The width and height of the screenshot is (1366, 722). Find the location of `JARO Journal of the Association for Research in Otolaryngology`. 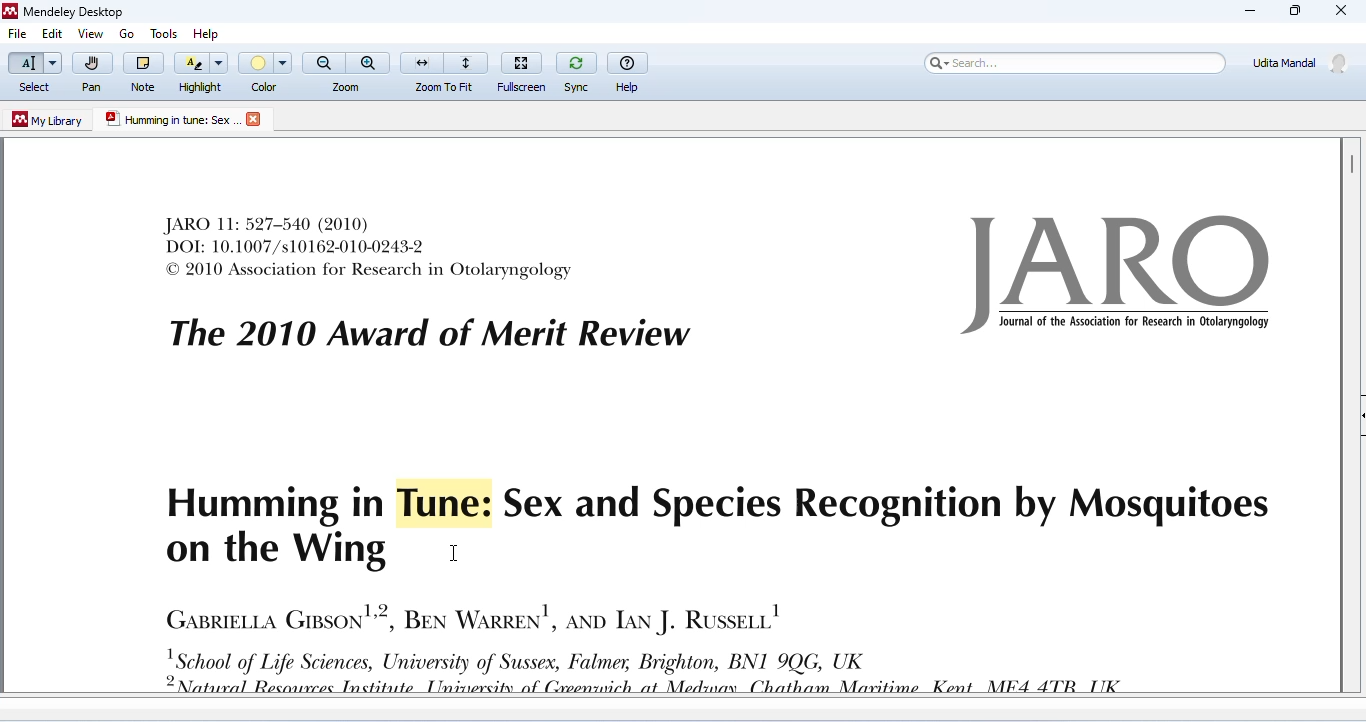

JARO Journal of the Association for Research in Otolaryngology is located at coordinates (1122, 275).